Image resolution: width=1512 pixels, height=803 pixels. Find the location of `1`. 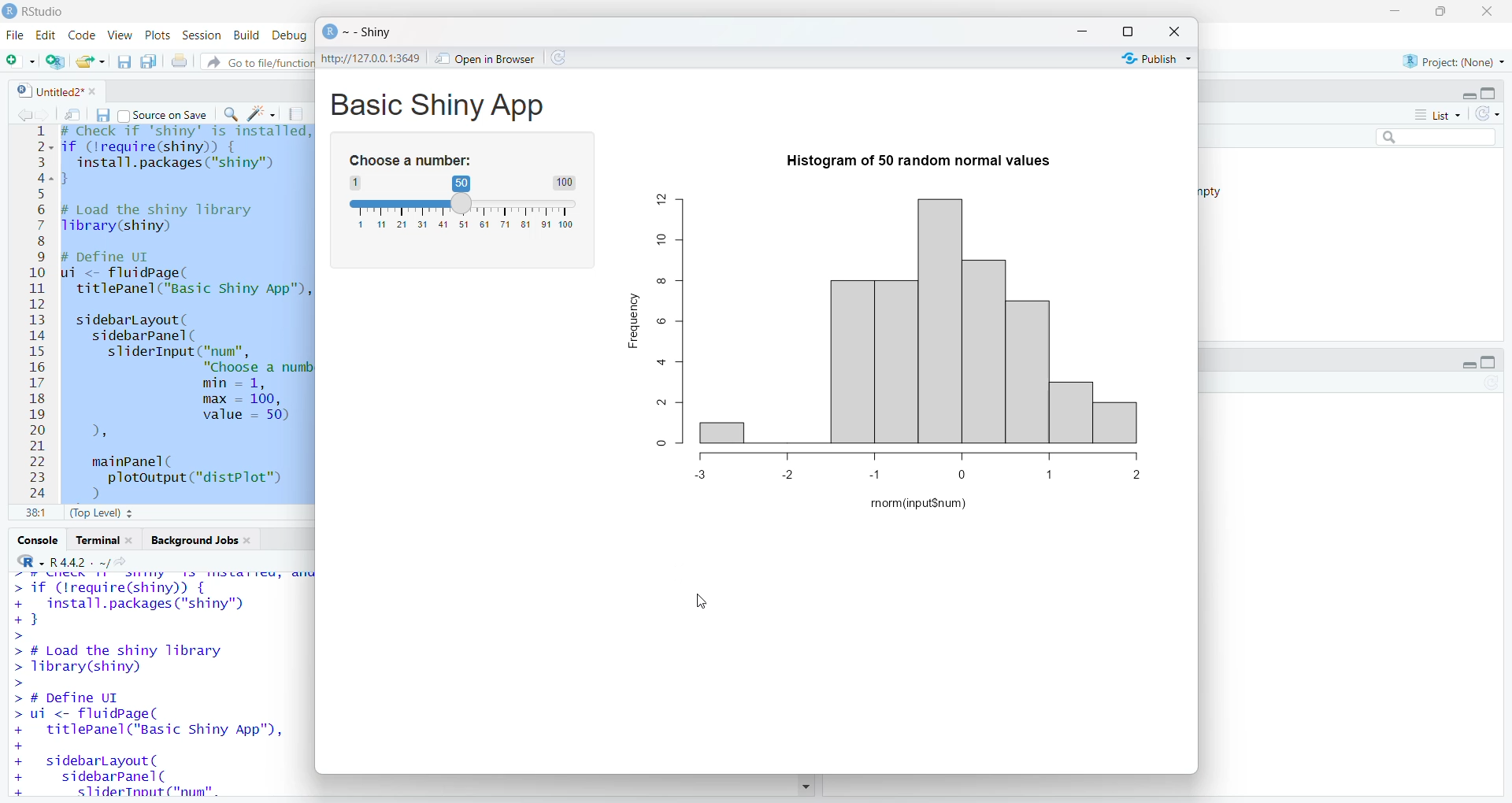

1 is located at coordinates (357, 182).